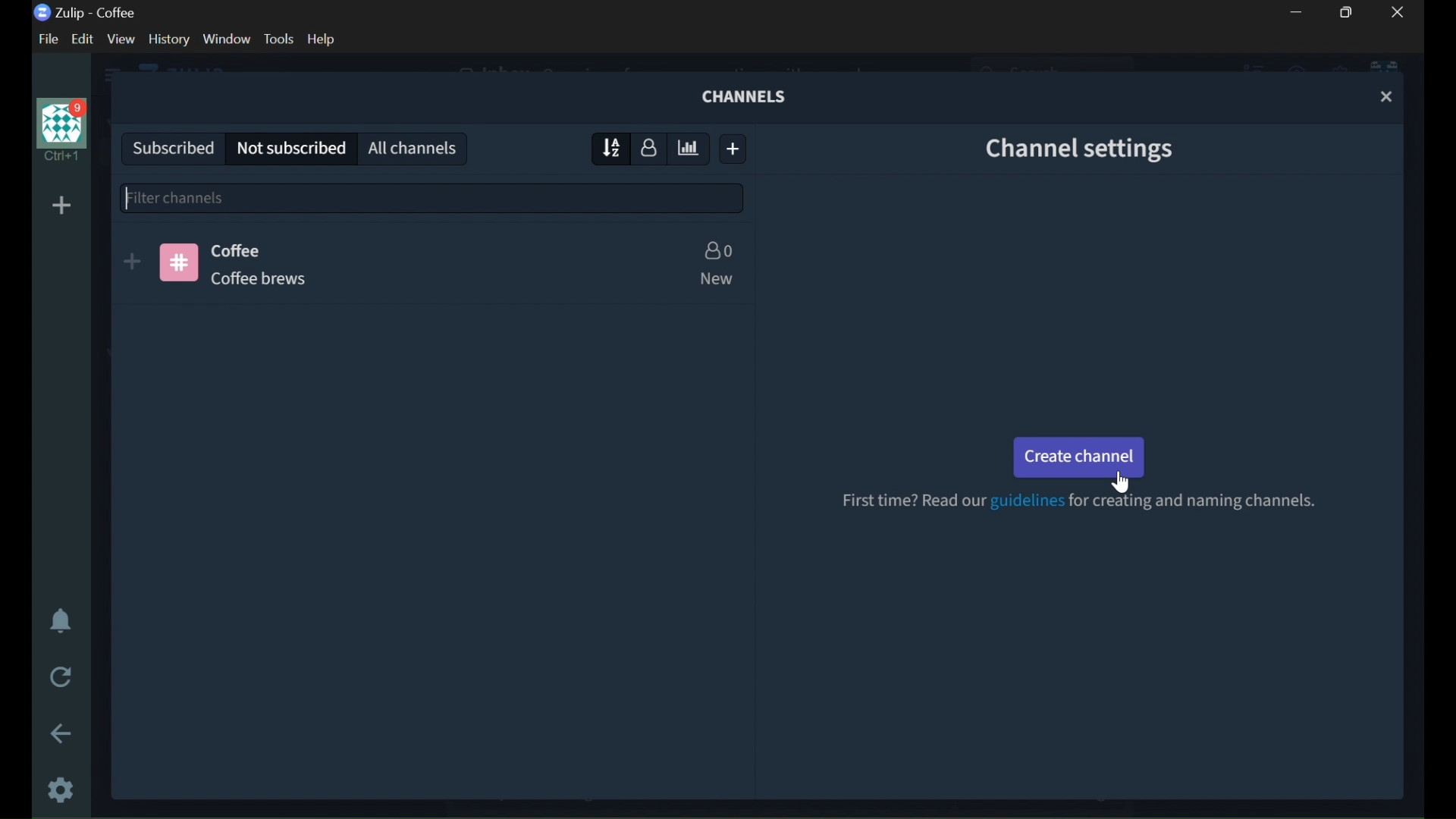 This screenshot has width=1456, height=819. Describe the element at coordinates (170, 39) in the screenshot. I see `HISTORY` at that location.